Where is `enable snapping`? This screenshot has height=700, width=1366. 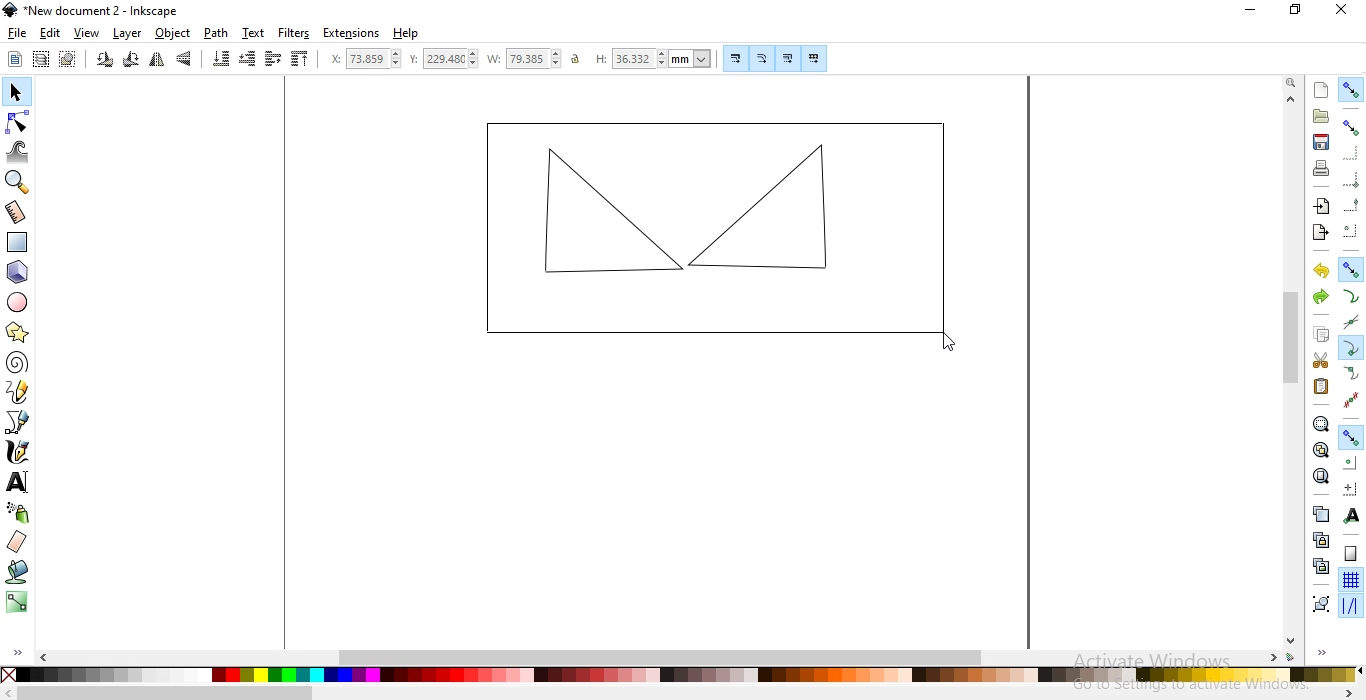 enable snapping is located at coordinates (1352, 91).